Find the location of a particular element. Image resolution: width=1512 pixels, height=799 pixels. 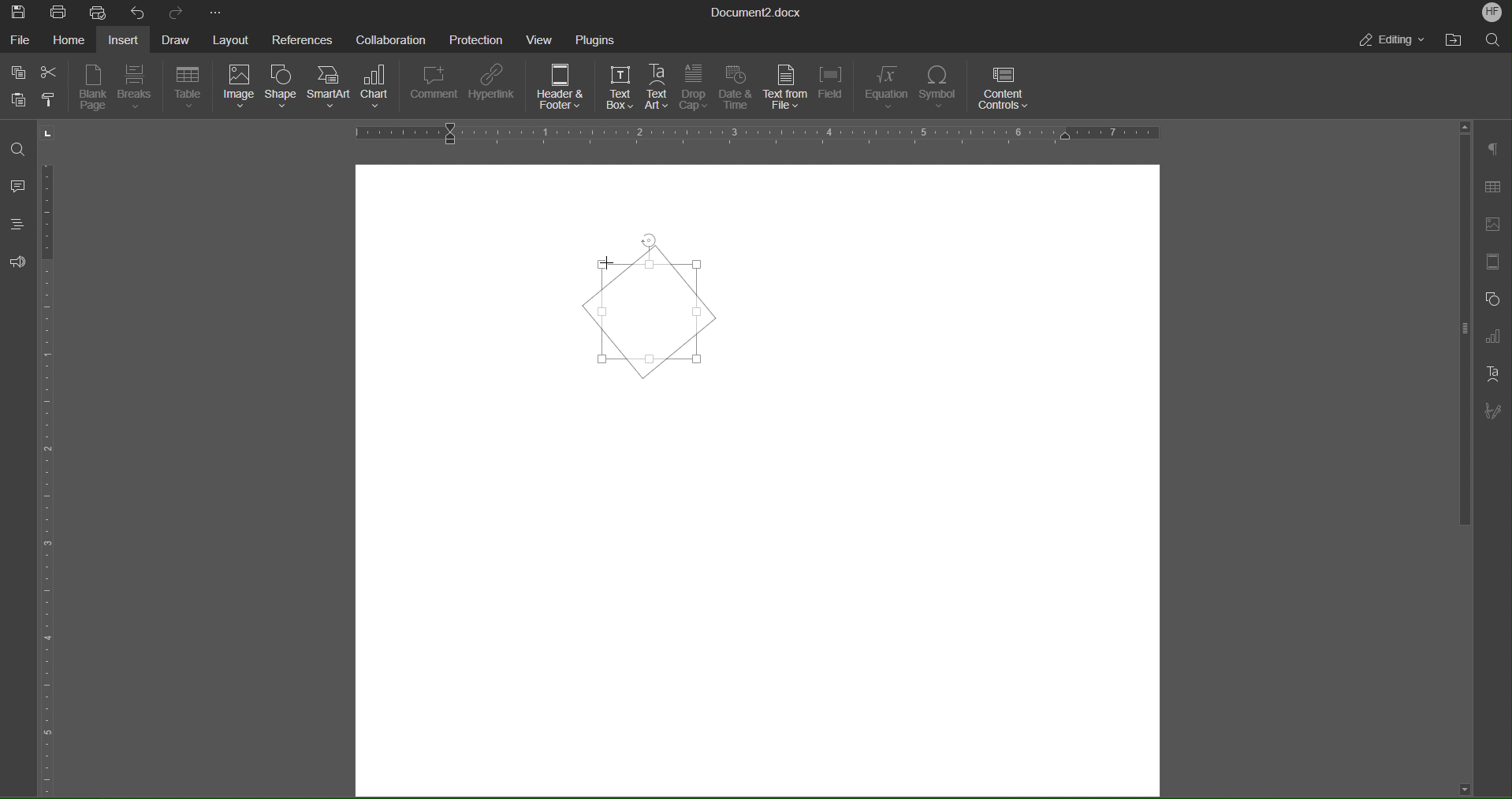

Document Title is located at coordinates (757, 11).